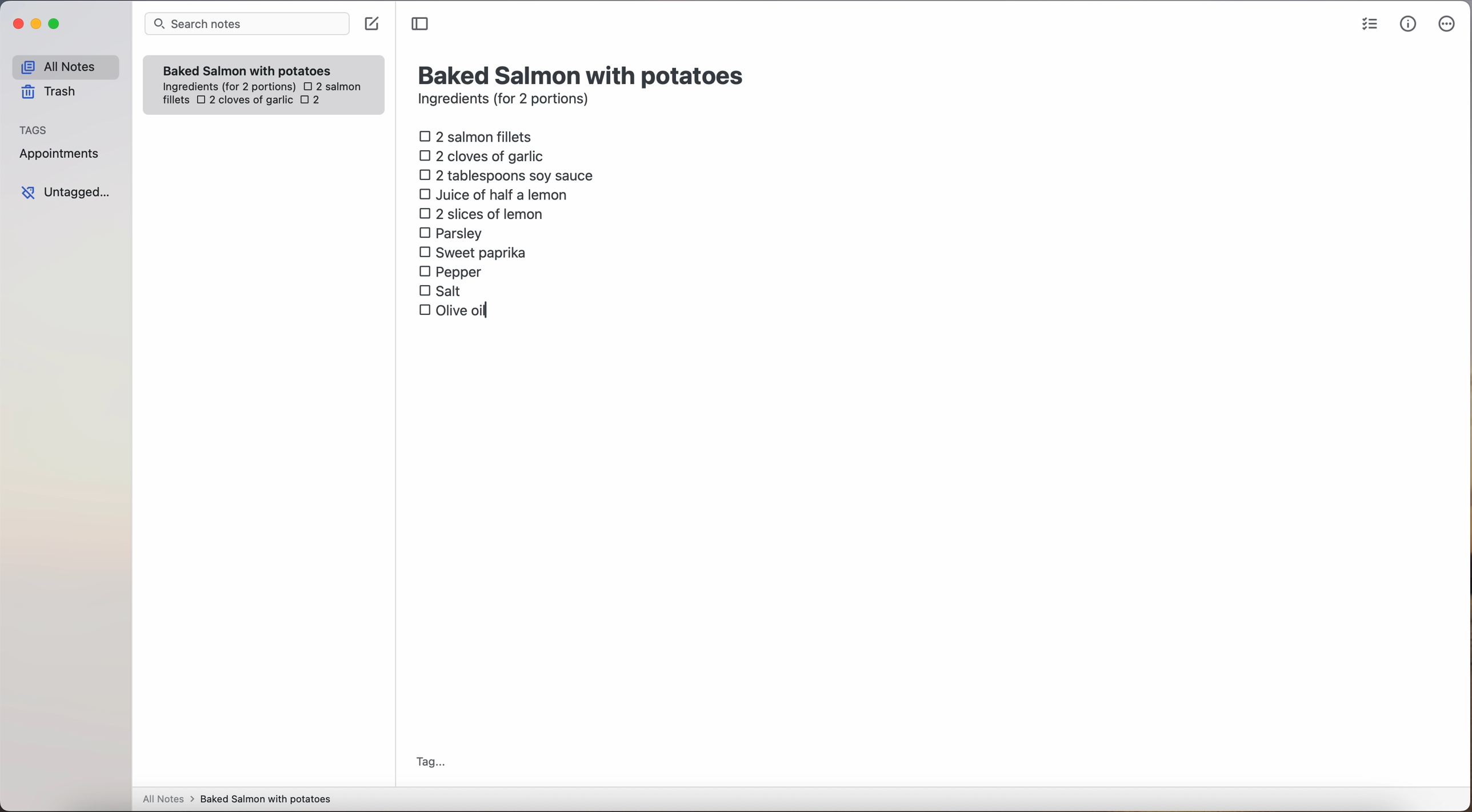 The height and width of the screenshot is (812, 1472). I want to click on 2 cloves of garlic, so click(485, 154).